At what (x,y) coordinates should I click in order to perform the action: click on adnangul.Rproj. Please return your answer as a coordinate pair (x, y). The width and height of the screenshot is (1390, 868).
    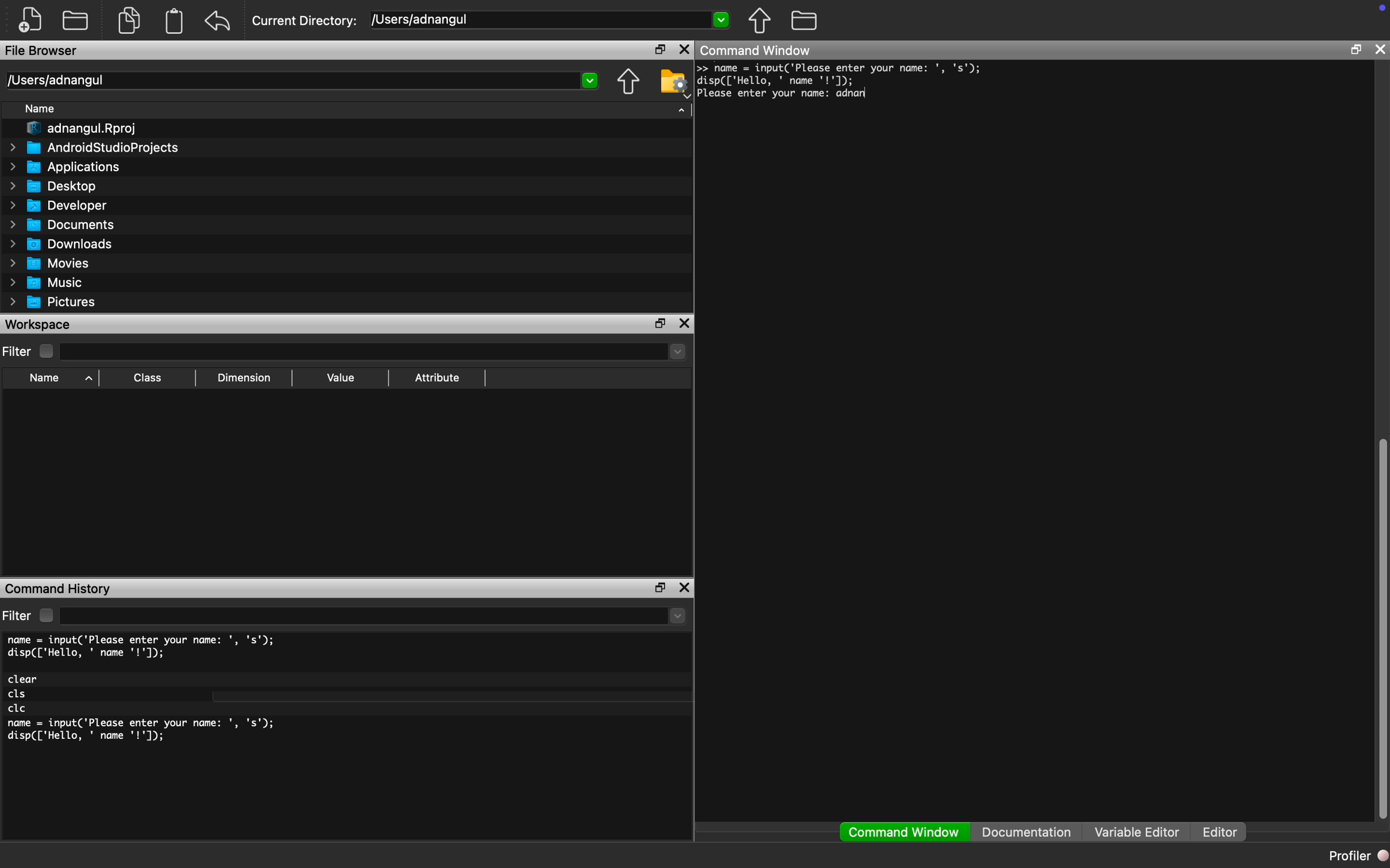
    Looking at the image, I should click on (83, 129).